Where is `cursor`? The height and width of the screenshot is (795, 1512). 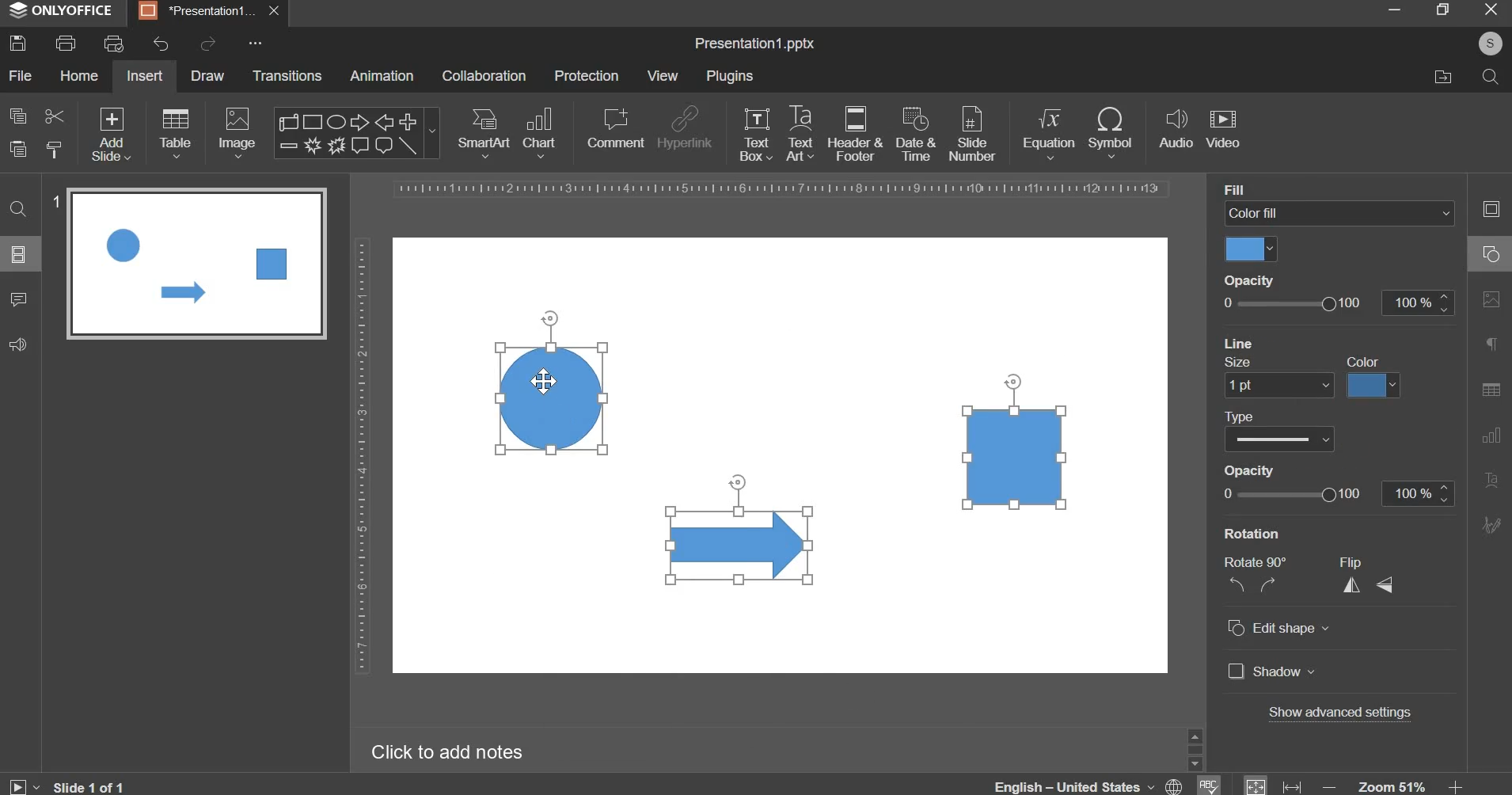 cursor is located at coordinates (549, 380).